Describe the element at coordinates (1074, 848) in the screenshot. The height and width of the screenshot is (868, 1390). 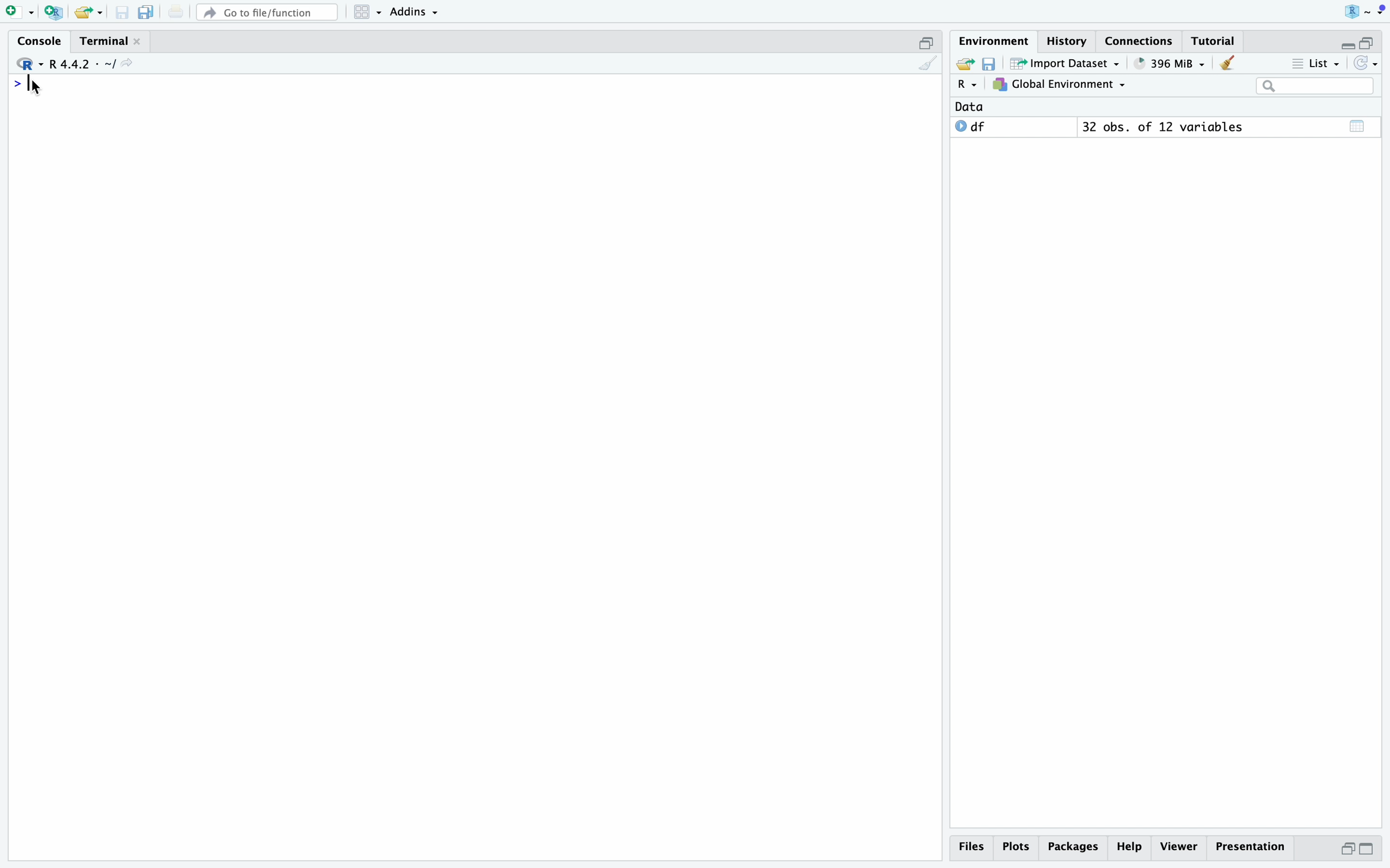
I see `` at that location.